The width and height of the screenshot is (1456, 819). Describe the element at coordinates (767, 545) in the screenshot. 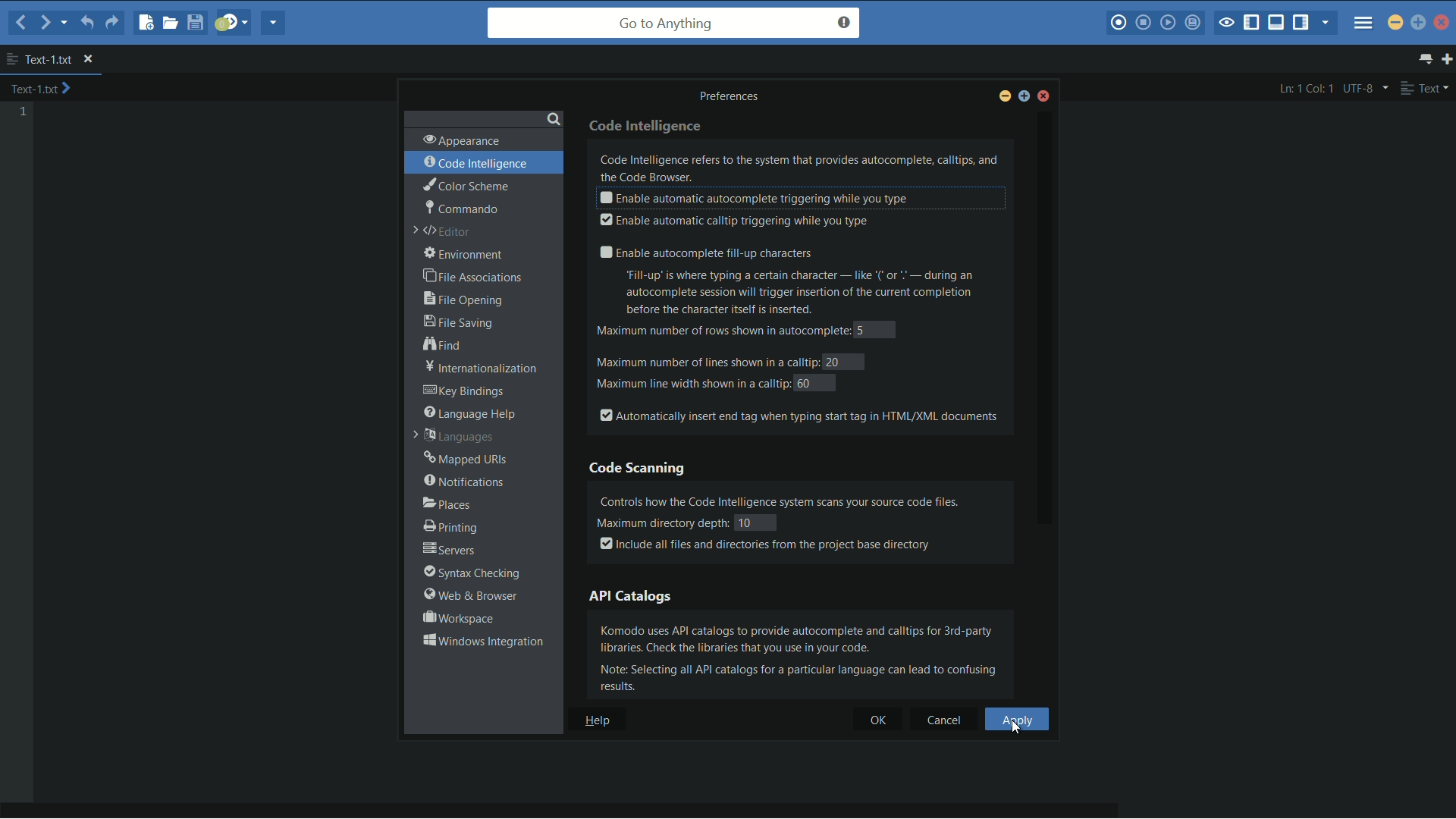

I see `Include all files and directories from the project base directory` at that location.